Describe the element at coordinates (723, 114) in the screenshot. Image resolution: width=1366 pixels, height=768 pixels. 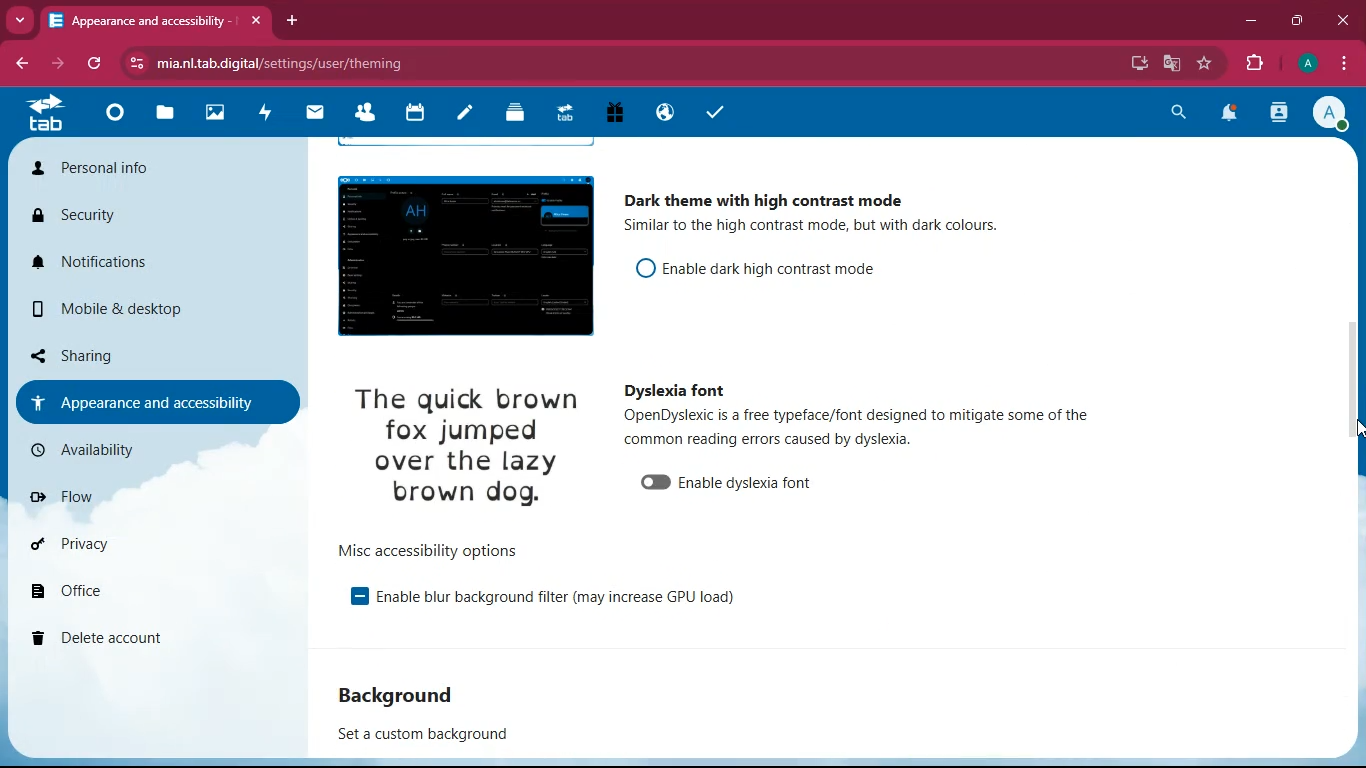
I see `tasks` at that location.